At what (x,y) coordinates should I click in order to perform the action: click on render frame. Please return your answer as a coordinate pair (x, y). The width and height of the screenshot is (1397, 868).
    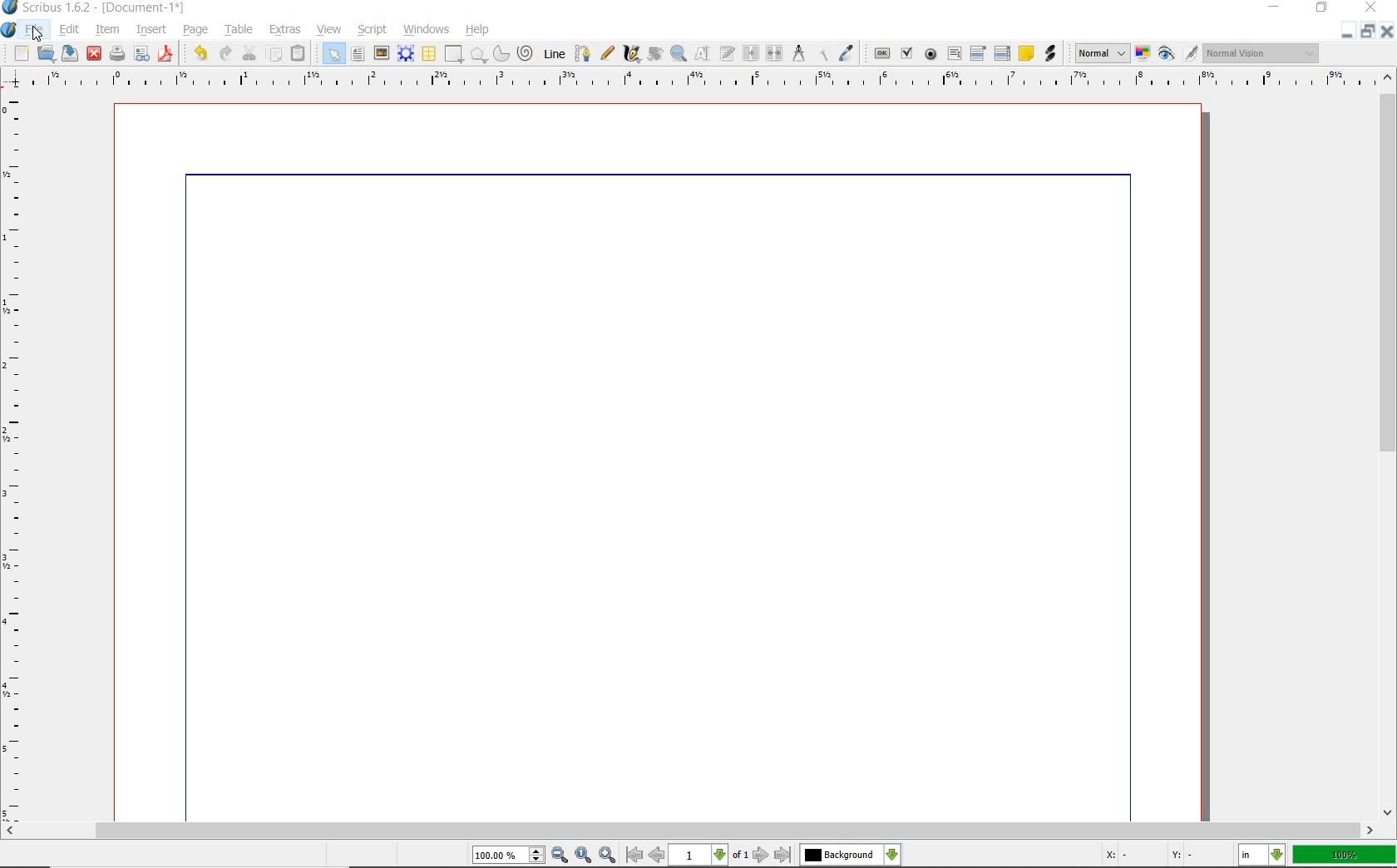
    Looking at the image, I should click on (406, 54).